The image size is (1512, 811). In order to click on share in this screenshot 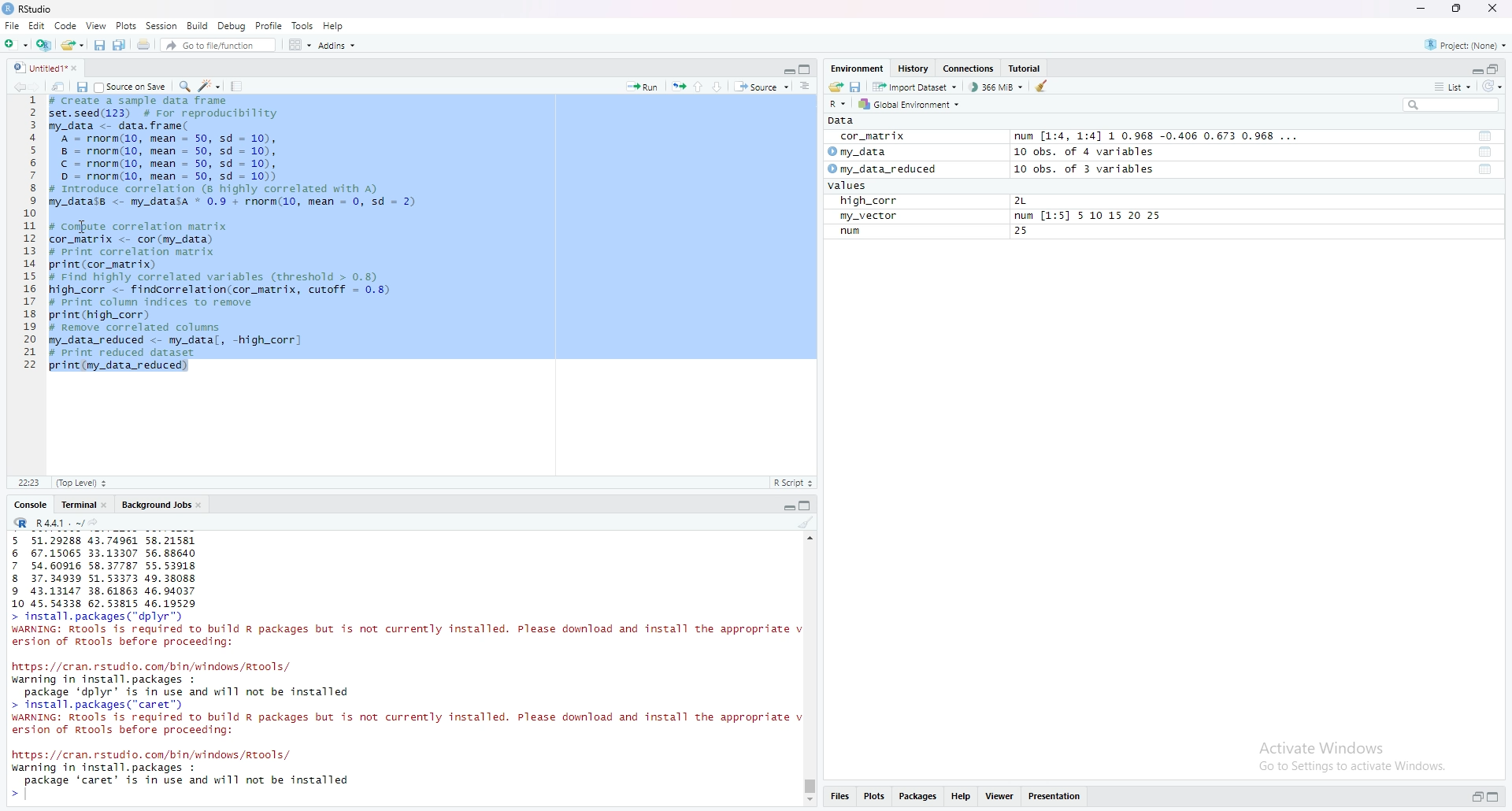, I will do `click(94, 523)`.